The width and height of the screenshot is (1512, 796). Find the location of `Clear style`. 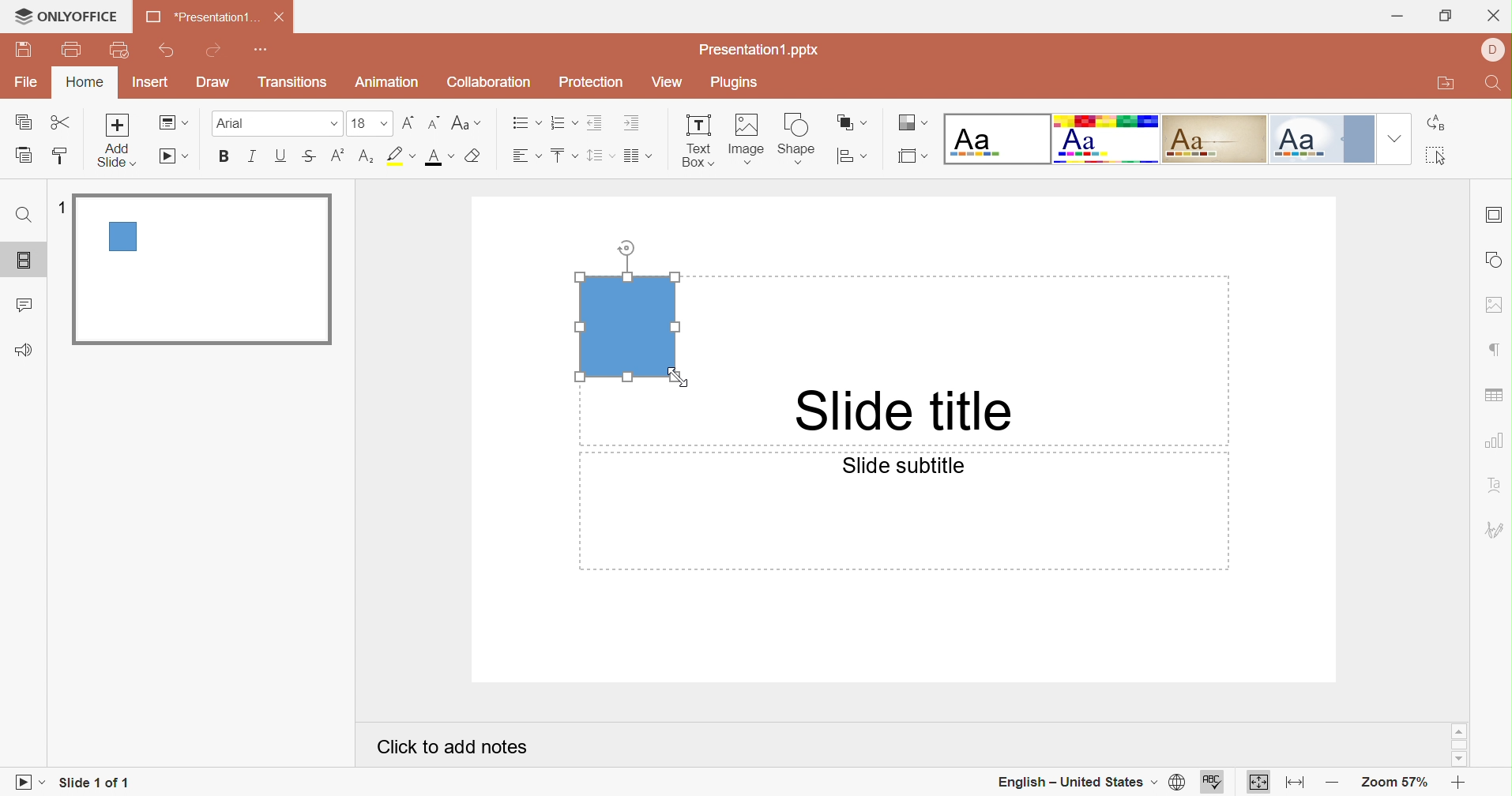

Clear style is located at coordinates (476, 157).